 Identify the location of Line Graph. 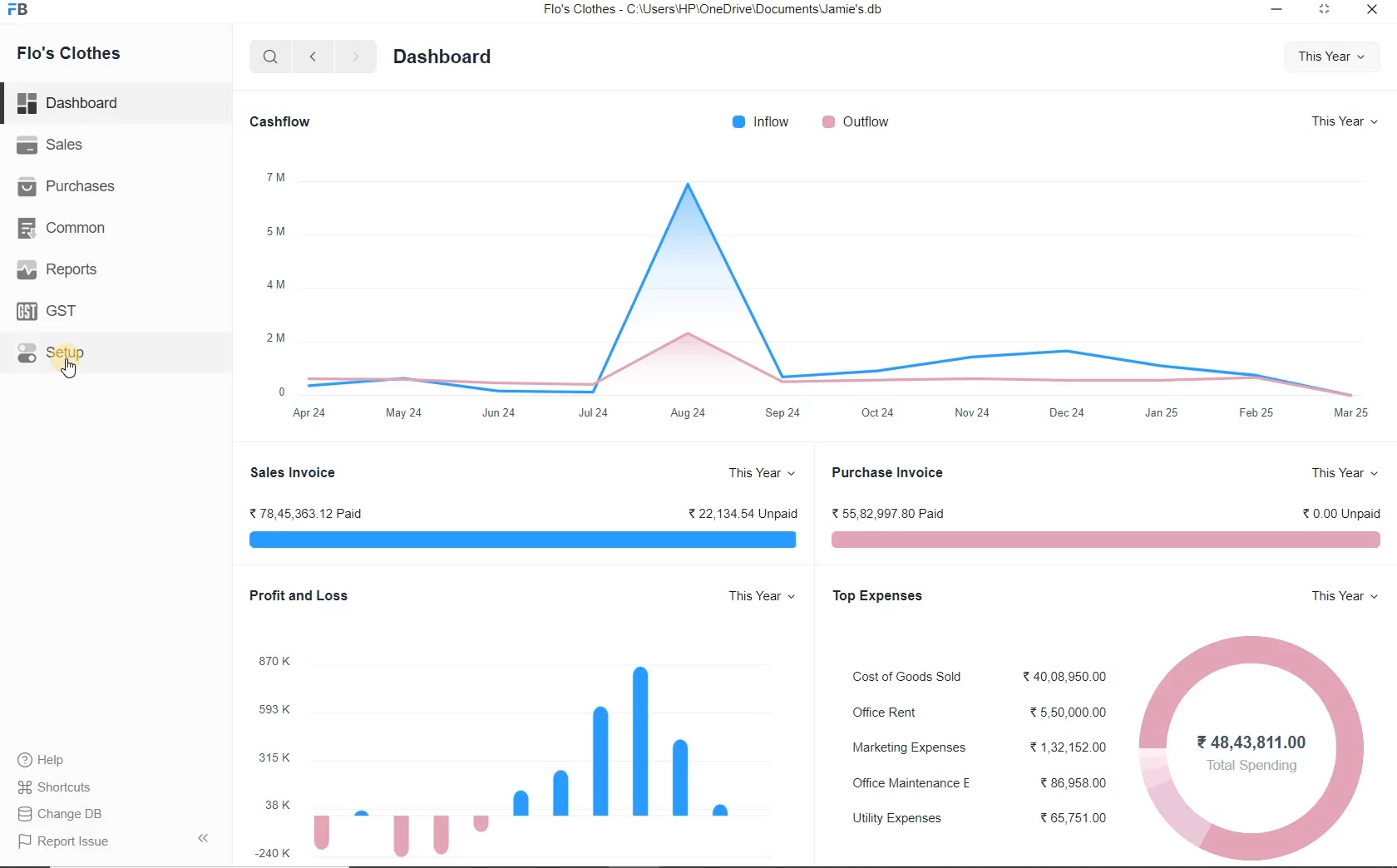
(845, 281).